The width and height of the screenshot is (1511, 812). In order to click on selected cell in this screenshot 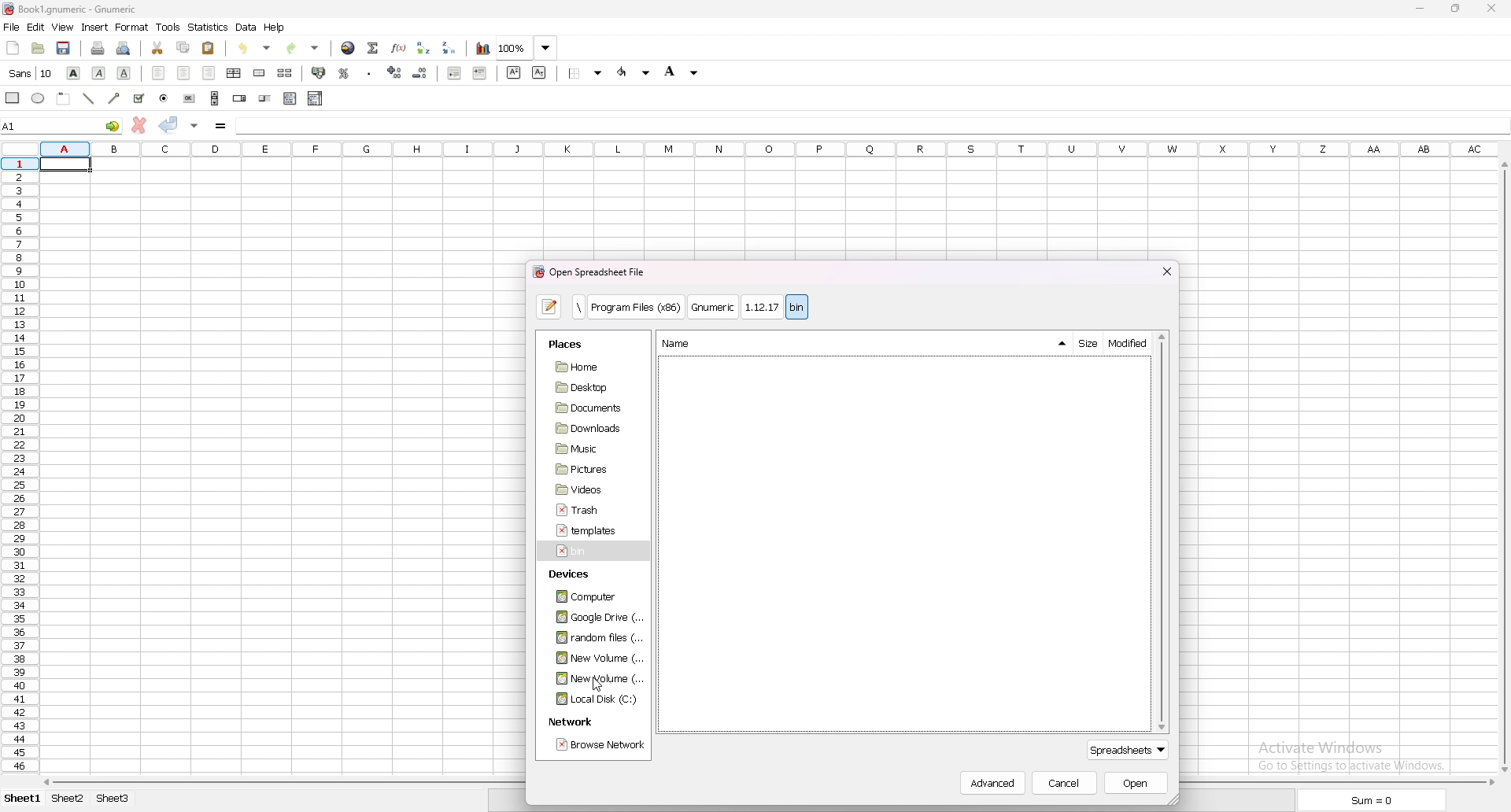, I will do `click(68, 164)`.